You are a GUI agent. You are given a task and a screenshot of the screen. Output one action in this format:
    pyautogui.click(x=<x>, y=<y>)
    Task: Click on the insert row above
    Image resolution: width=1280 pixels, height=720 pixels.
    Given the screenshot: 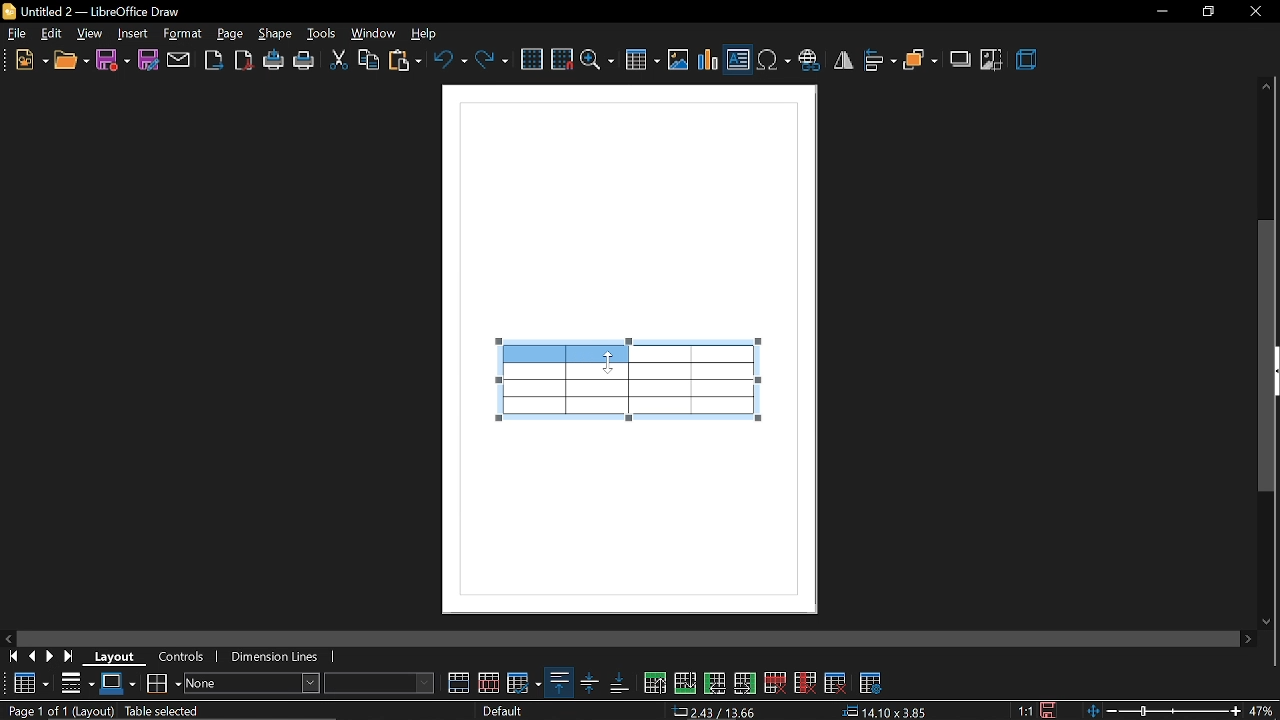 What is the action you would take?
    pyautogui.click(x=655, y=683)
    